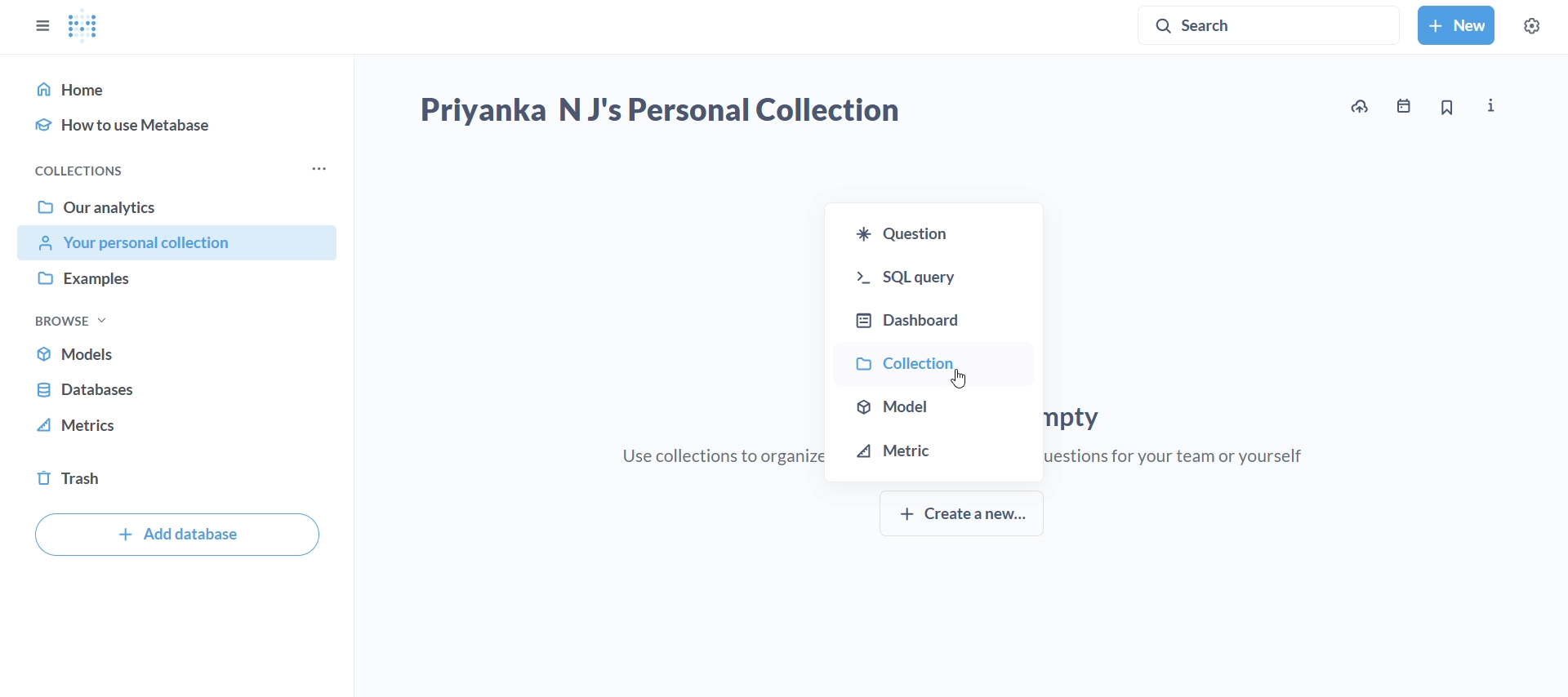 This screenshot has height=697, width=1568. What do you see at coordinates (956, 378) in the screenshot?
I see `cursor` at bounding box center [956, 378].